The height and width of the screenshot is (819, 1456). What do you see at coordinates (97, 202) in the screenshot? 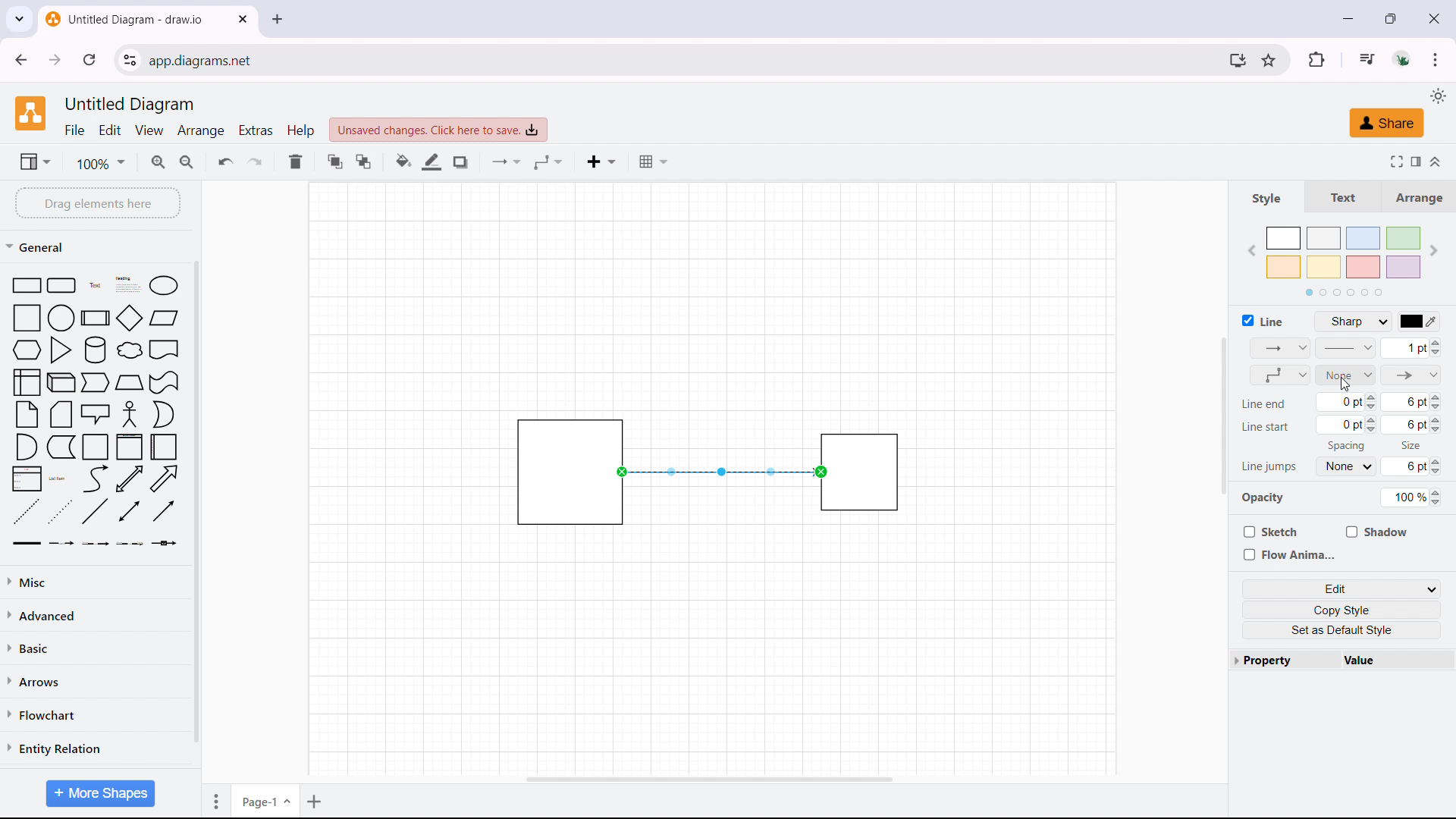
I see `drag elements here` at bounding box center [97, 202].